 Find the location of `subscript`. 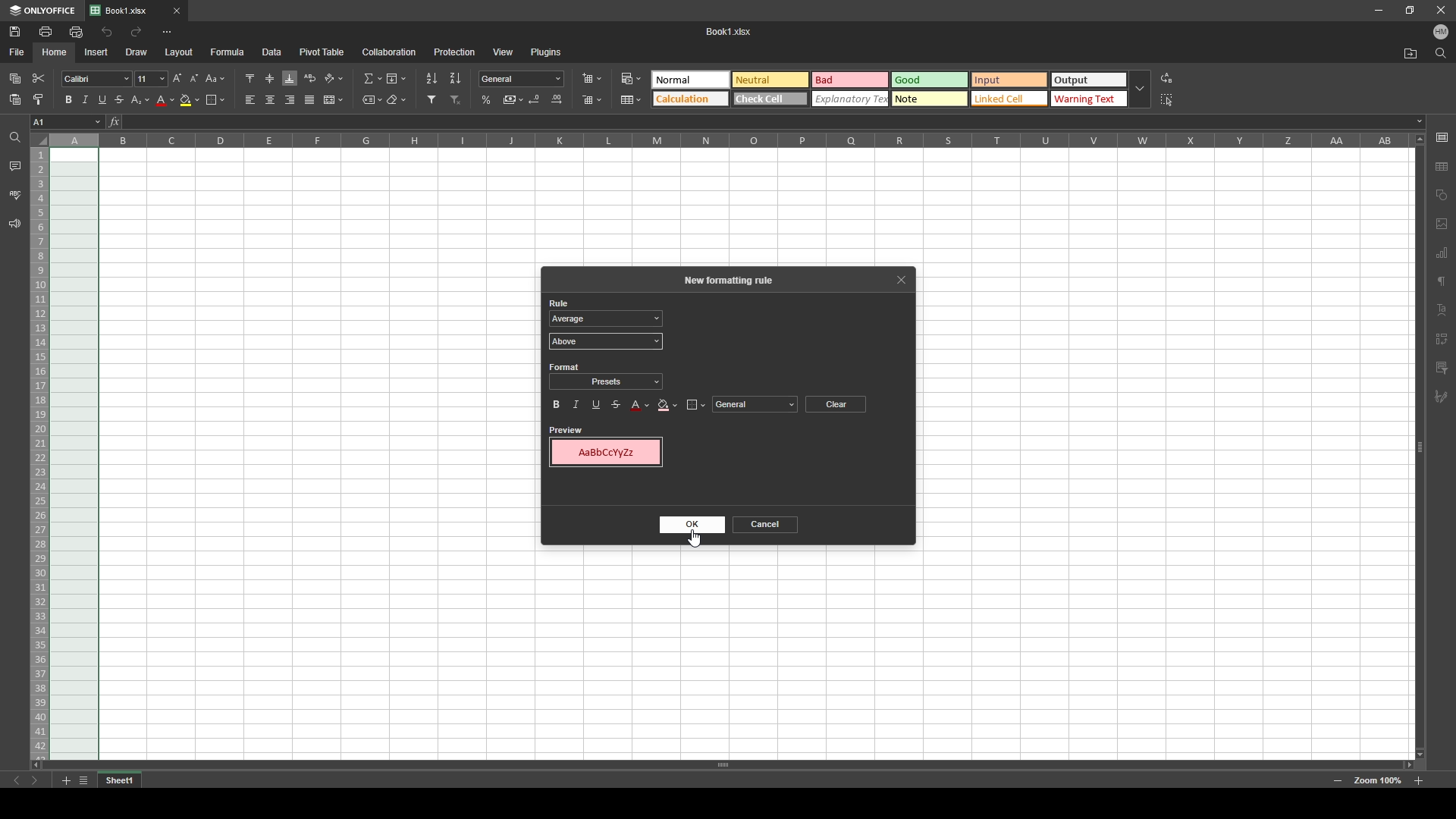

subscript is located at coordinates (141, 99).